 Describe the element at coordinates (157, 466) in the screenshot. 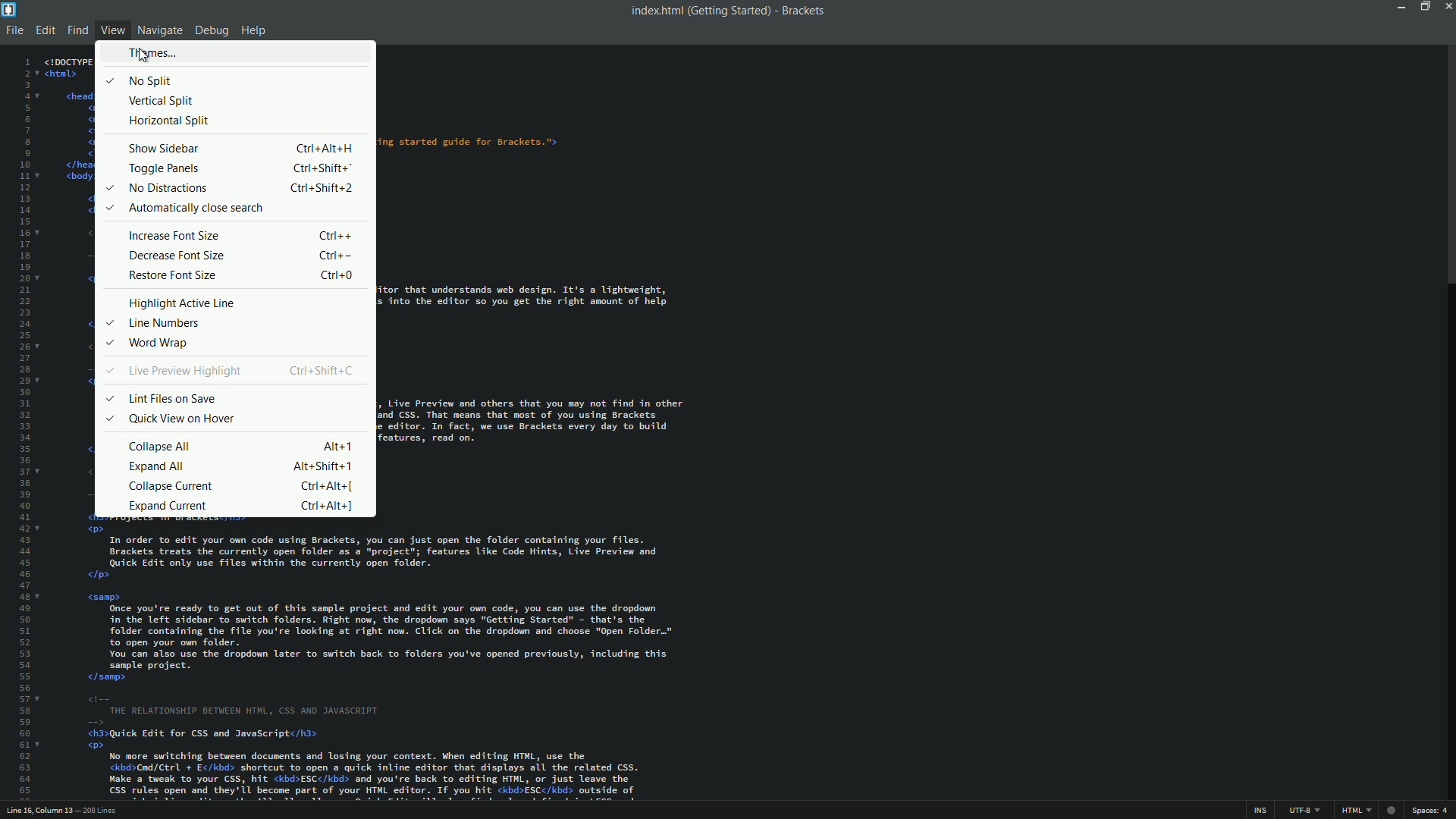

I see `expand all` at that location.